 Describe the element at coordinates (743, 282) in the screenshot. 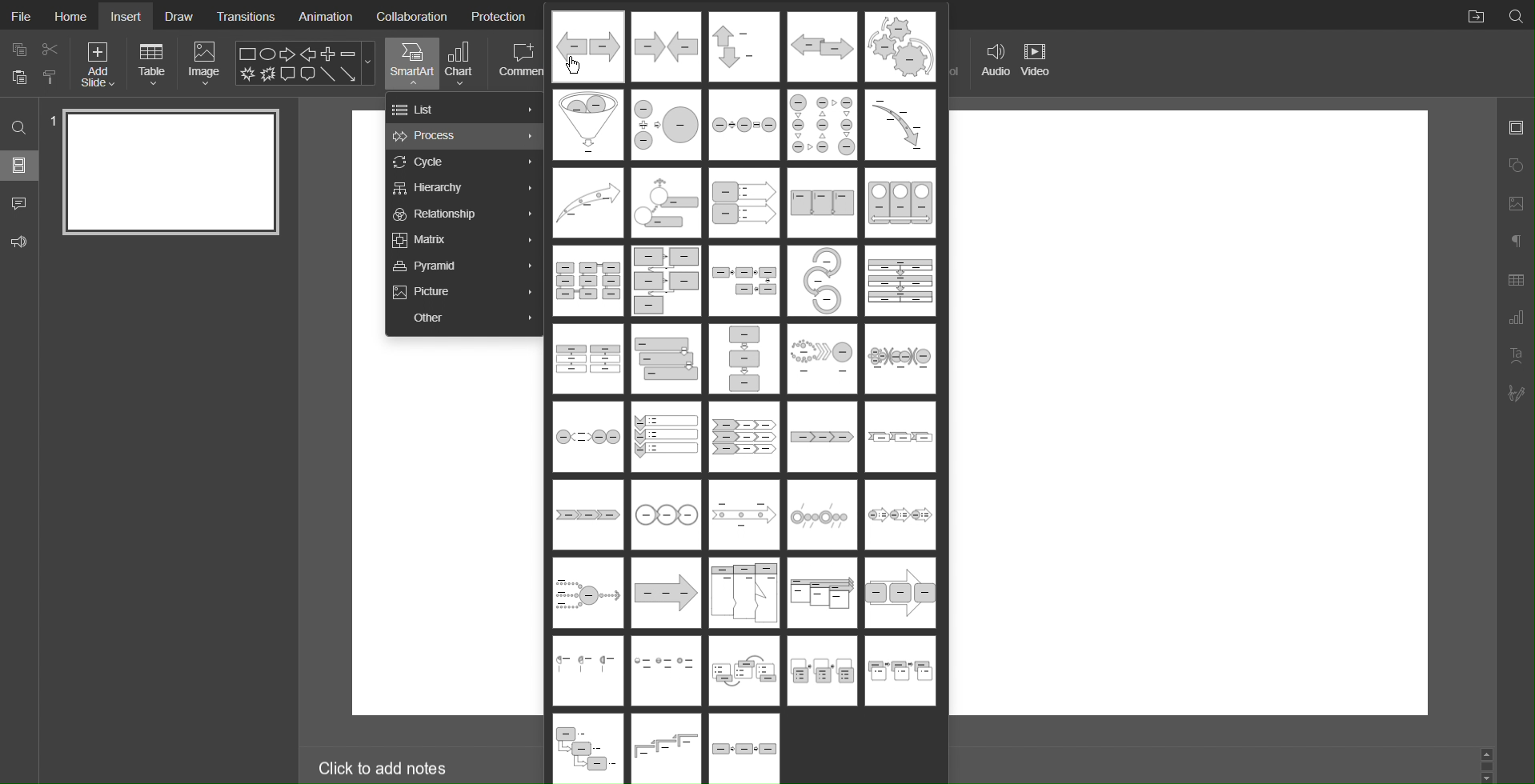

I see `Process Template 16-20` at that location.